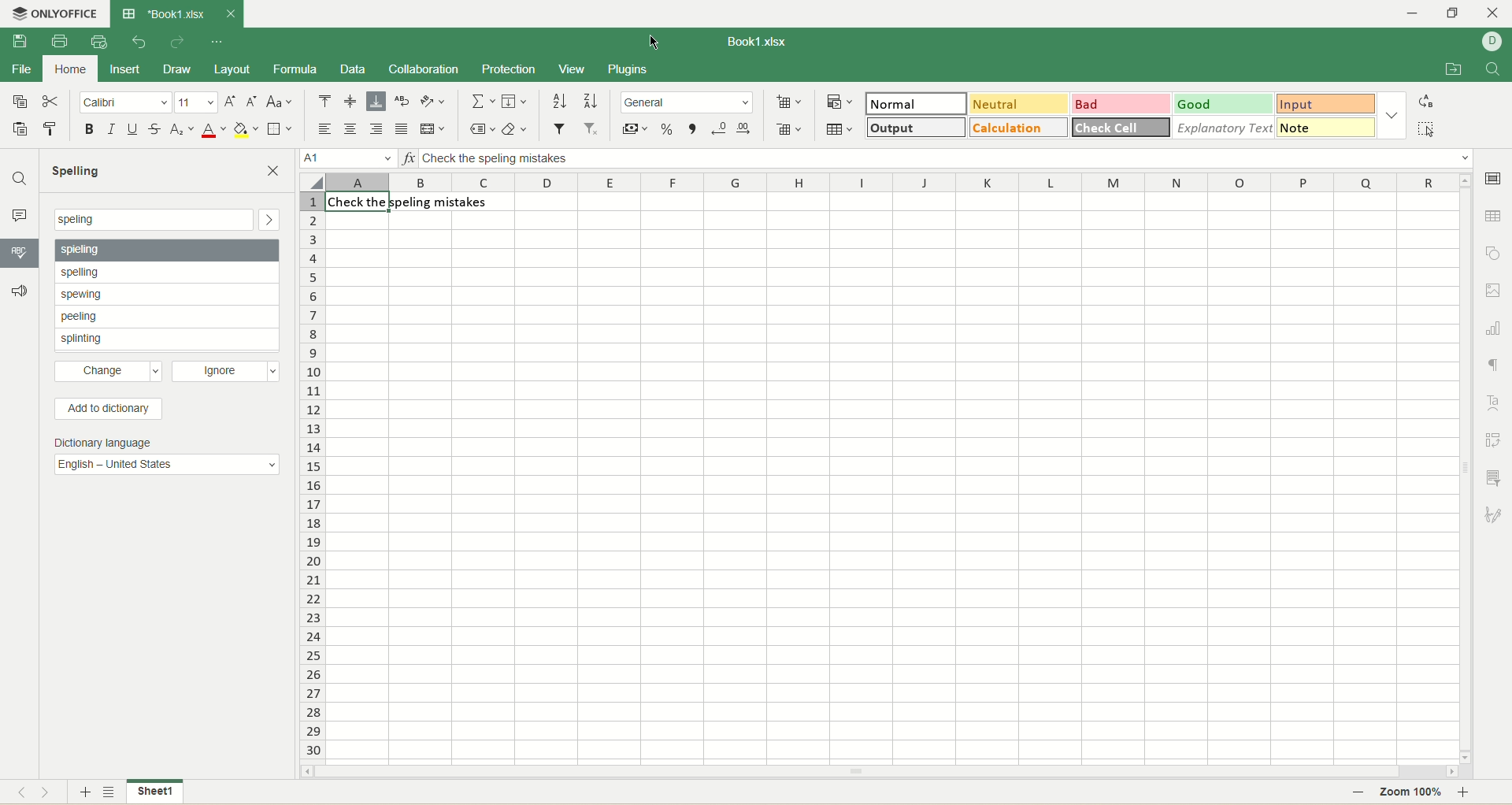 Image resolution: width=1512 pixels, height=805 pixels. I want to click on cursor, so click(654, 42).